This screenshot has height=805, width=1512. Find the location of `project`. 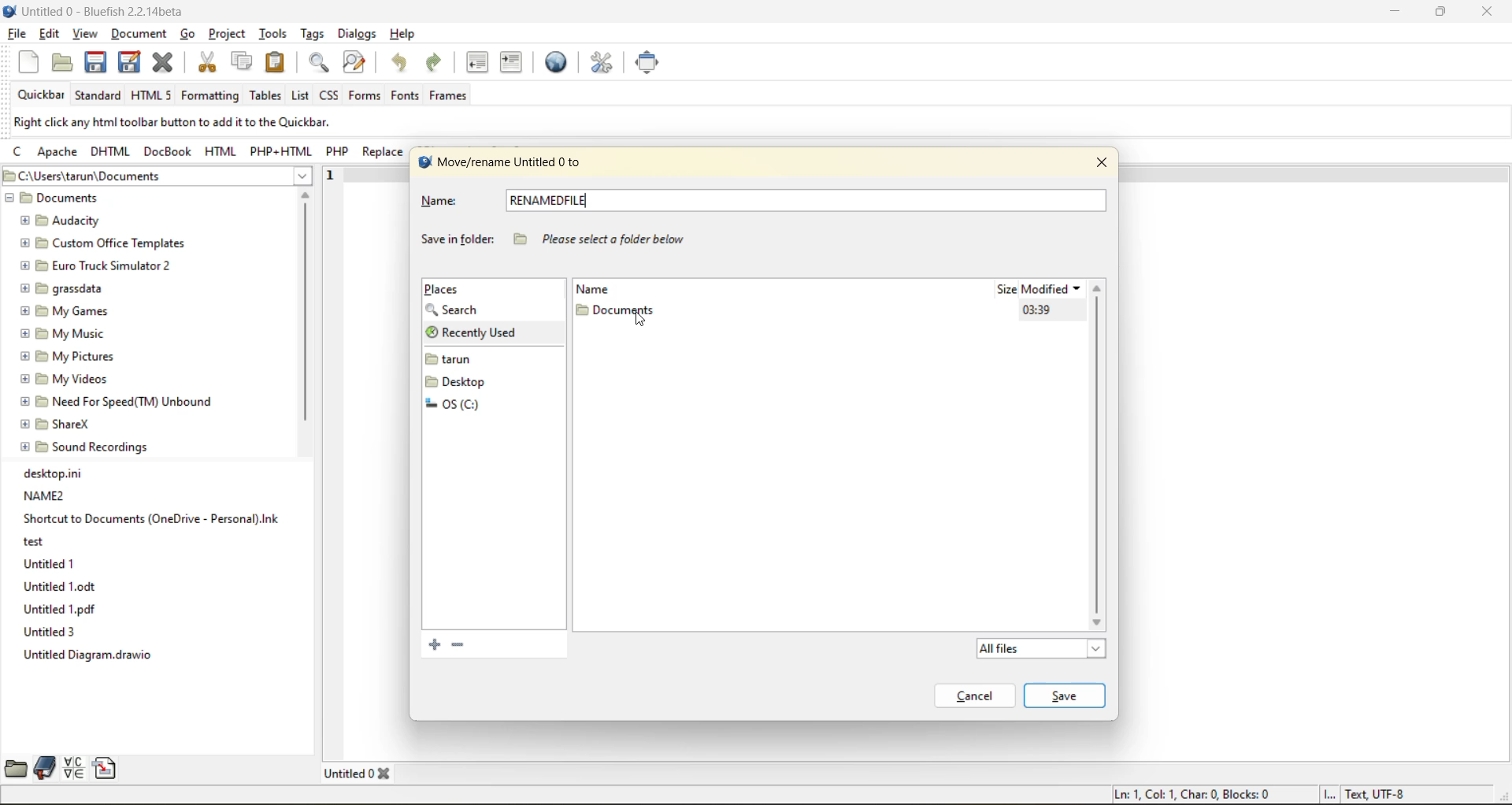

project is located at coordinates (230, 35).